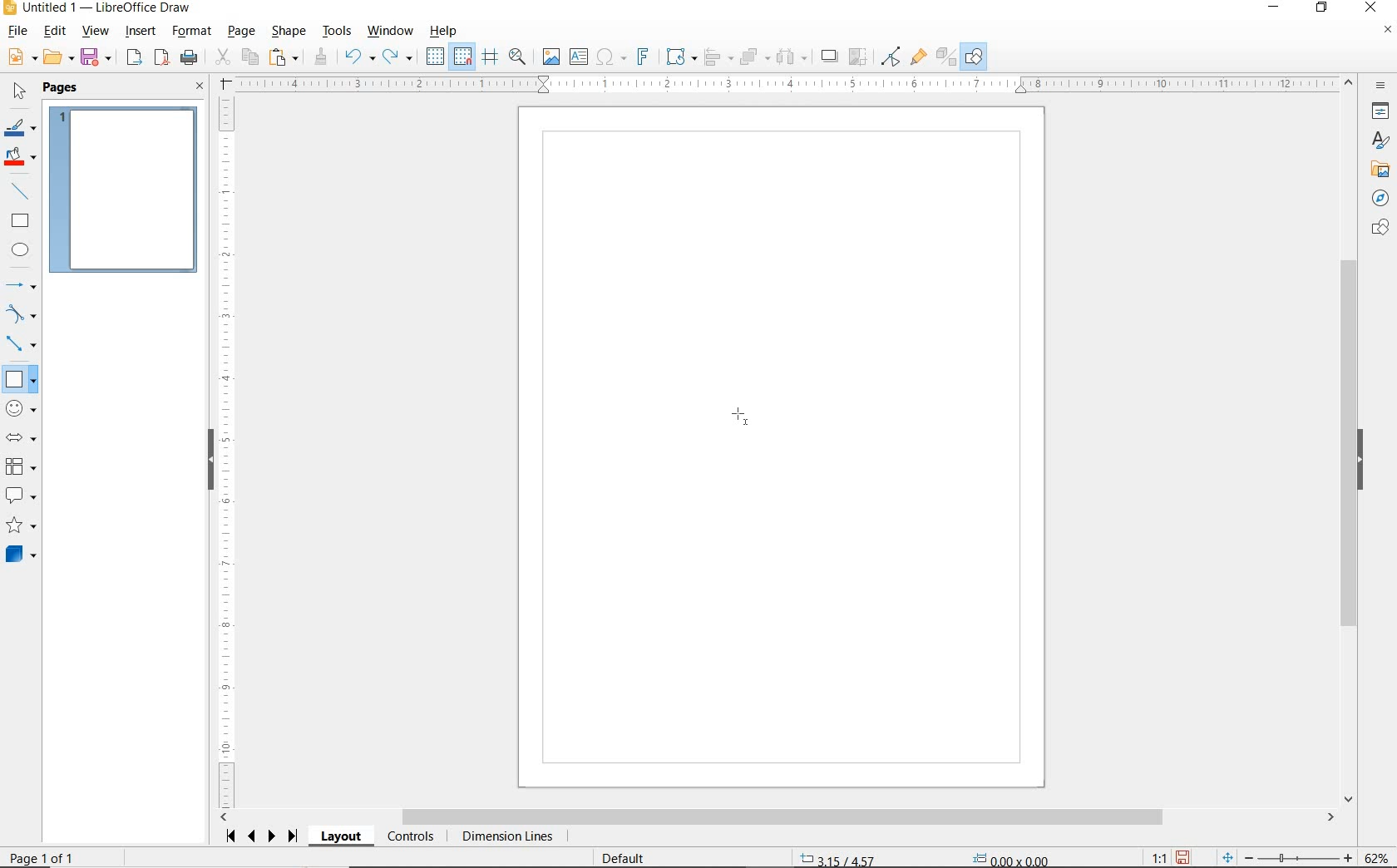 Image resolution: width=1397 pixels, height=868 pixels. What do you see at coordinates (642, 57) in the screenshot?
I see `INSERT FRONTWORK TEXT` at bounding box center [642, 57].